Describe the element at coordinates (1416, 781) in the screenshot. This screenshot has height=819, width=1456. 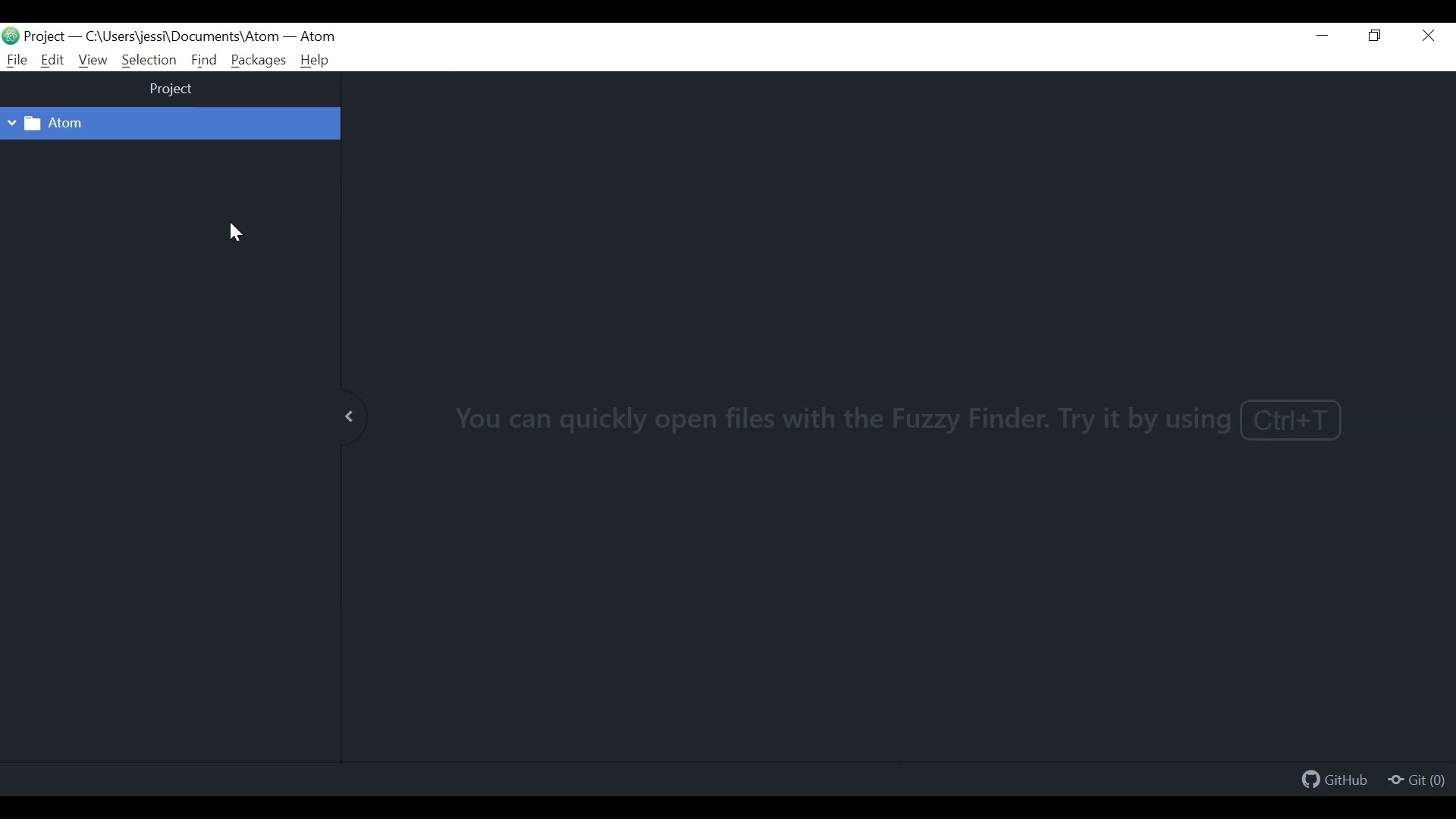
I see `Git` at that location.